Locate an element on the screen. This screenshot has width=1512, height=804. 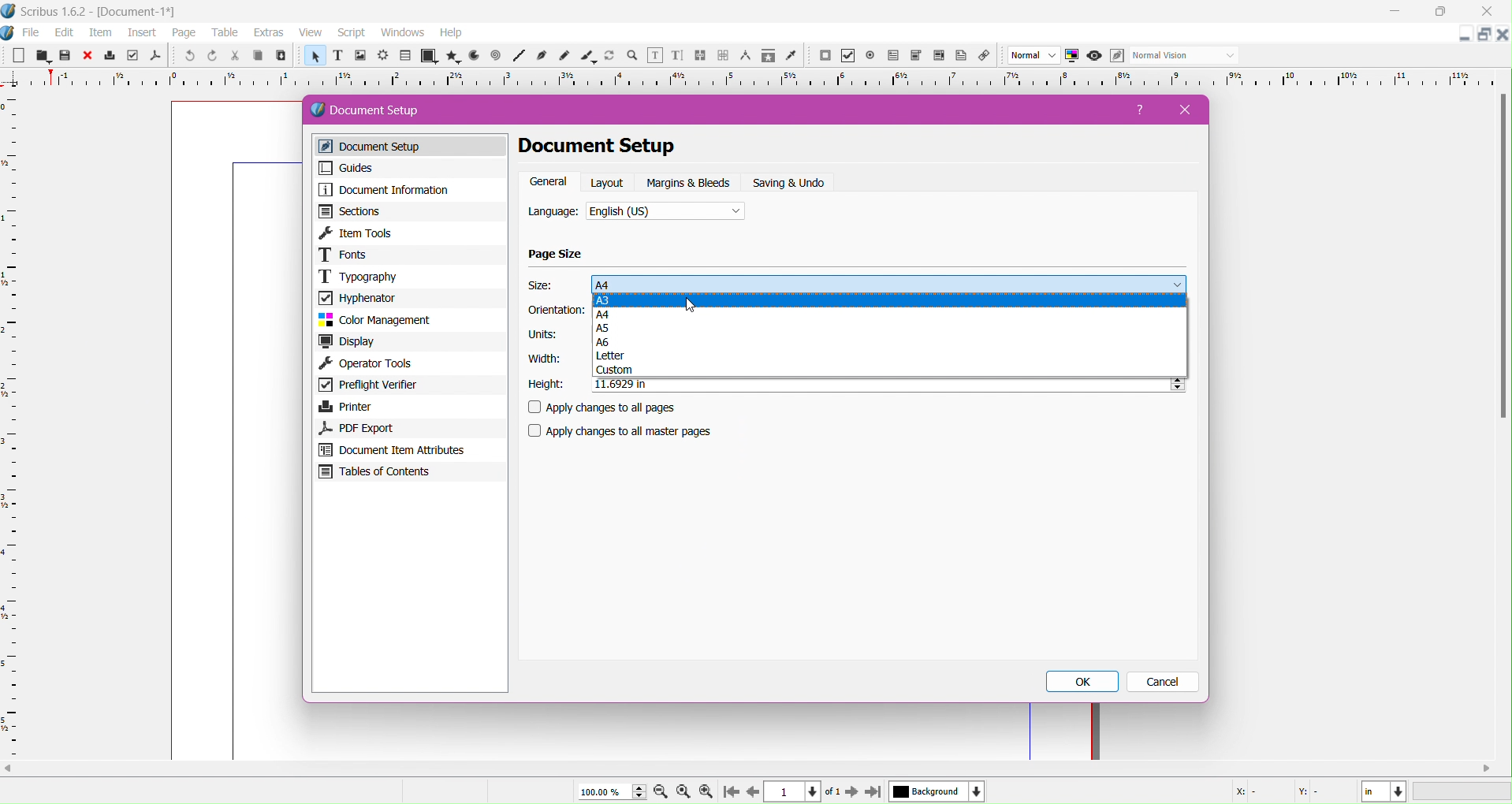
open is located at coordinates (40, 56).